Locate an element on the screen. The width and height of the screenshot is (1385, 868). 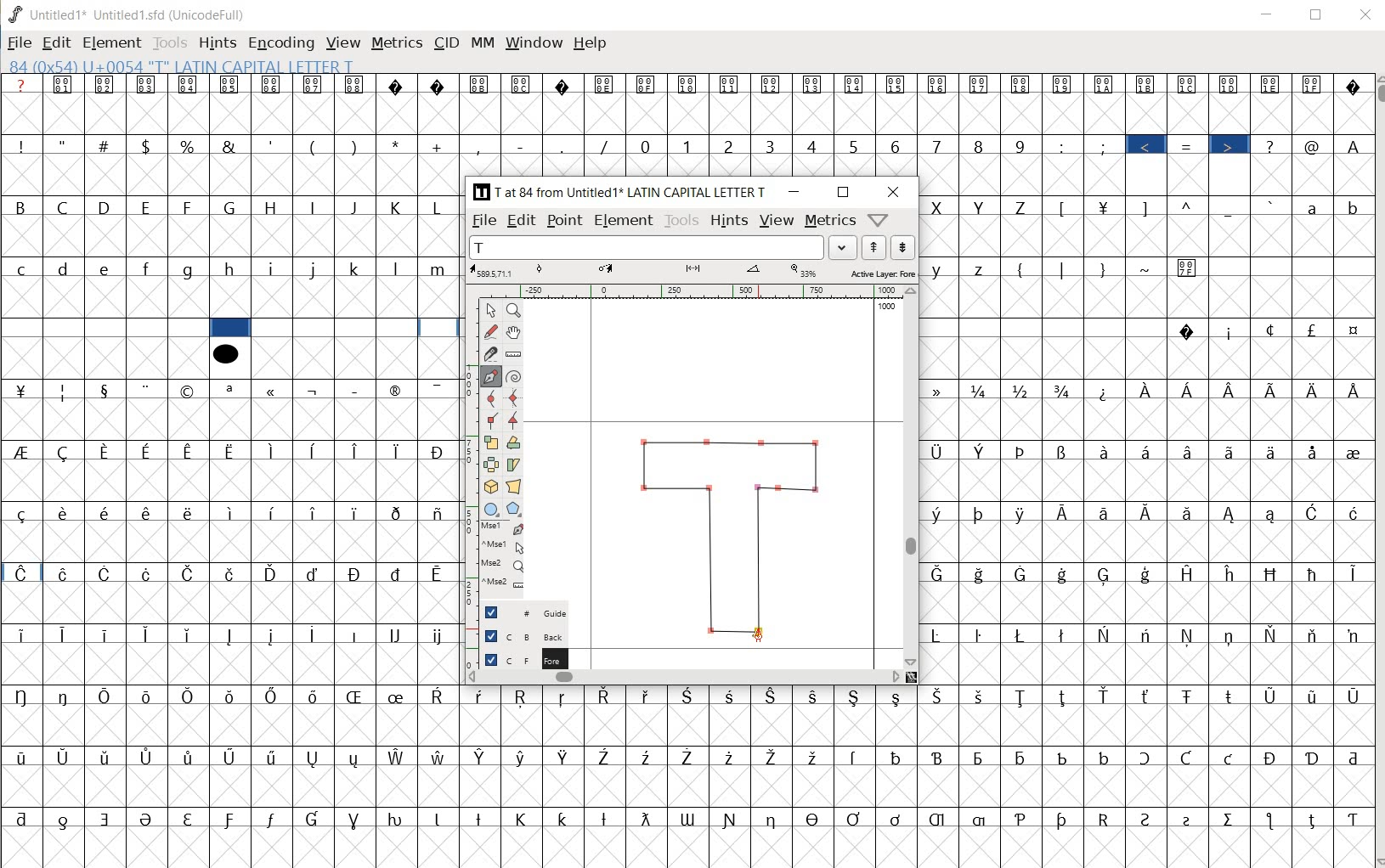
help is located at coordinates (590, 42).